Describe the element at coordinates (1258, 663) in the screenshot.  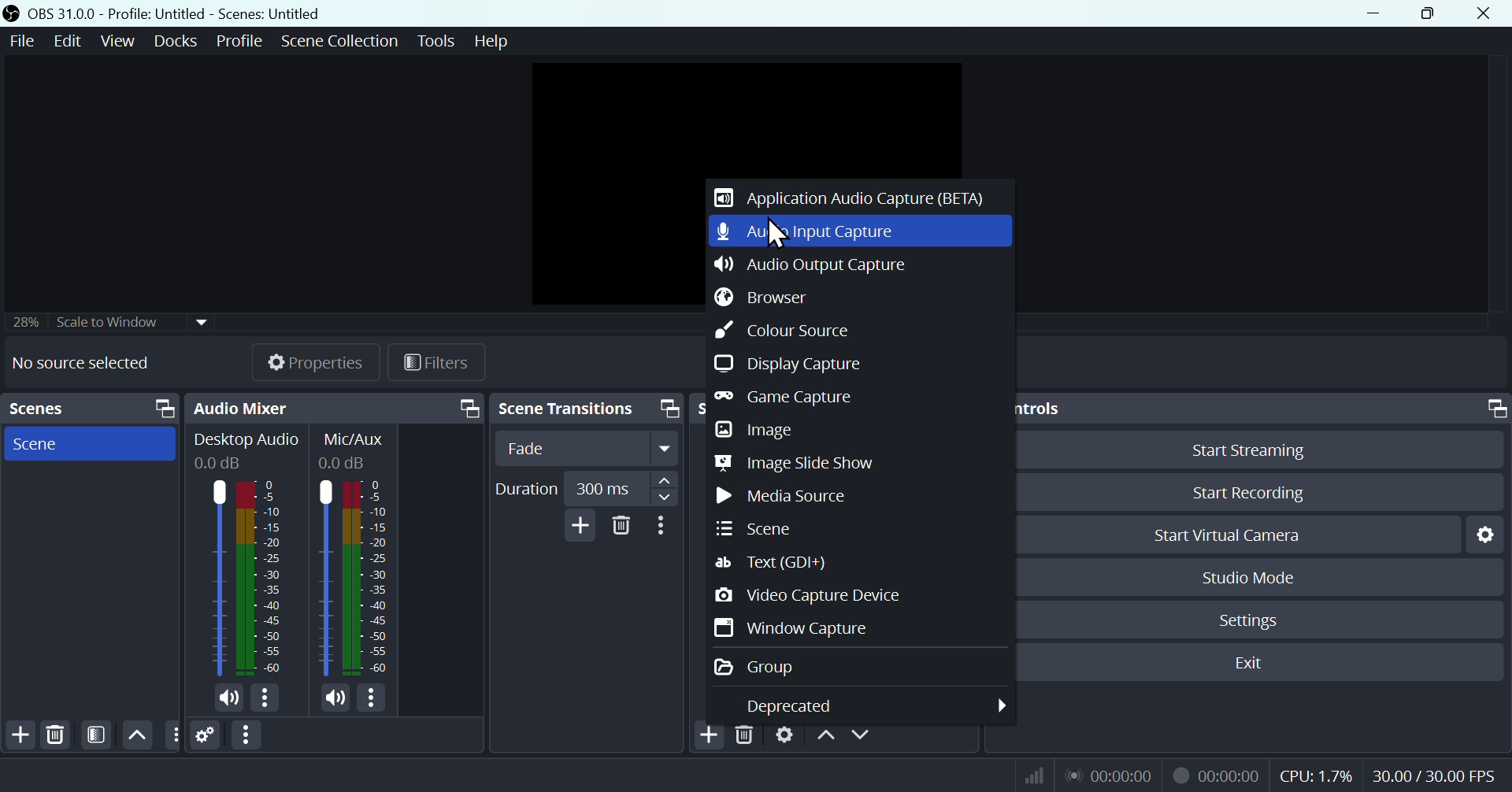
I see `Exit` at that location.